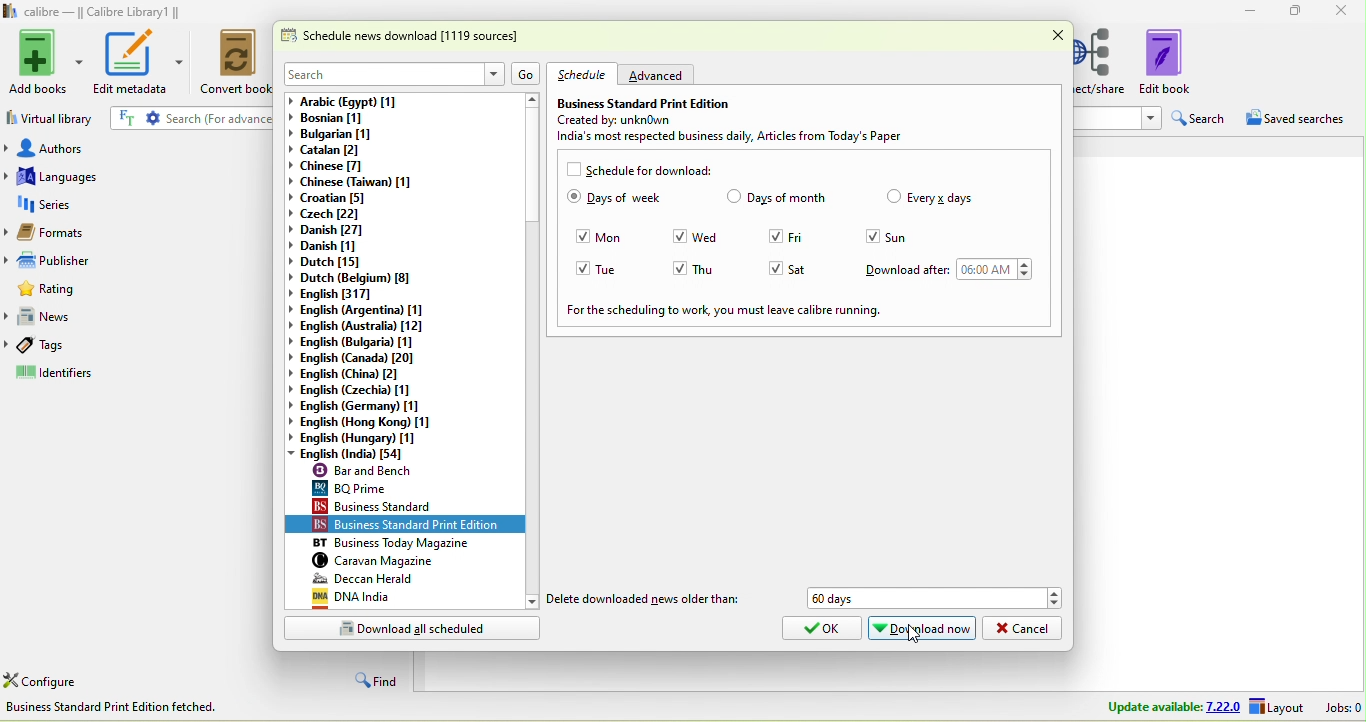  I want to click on layout, so click(1275, 705).